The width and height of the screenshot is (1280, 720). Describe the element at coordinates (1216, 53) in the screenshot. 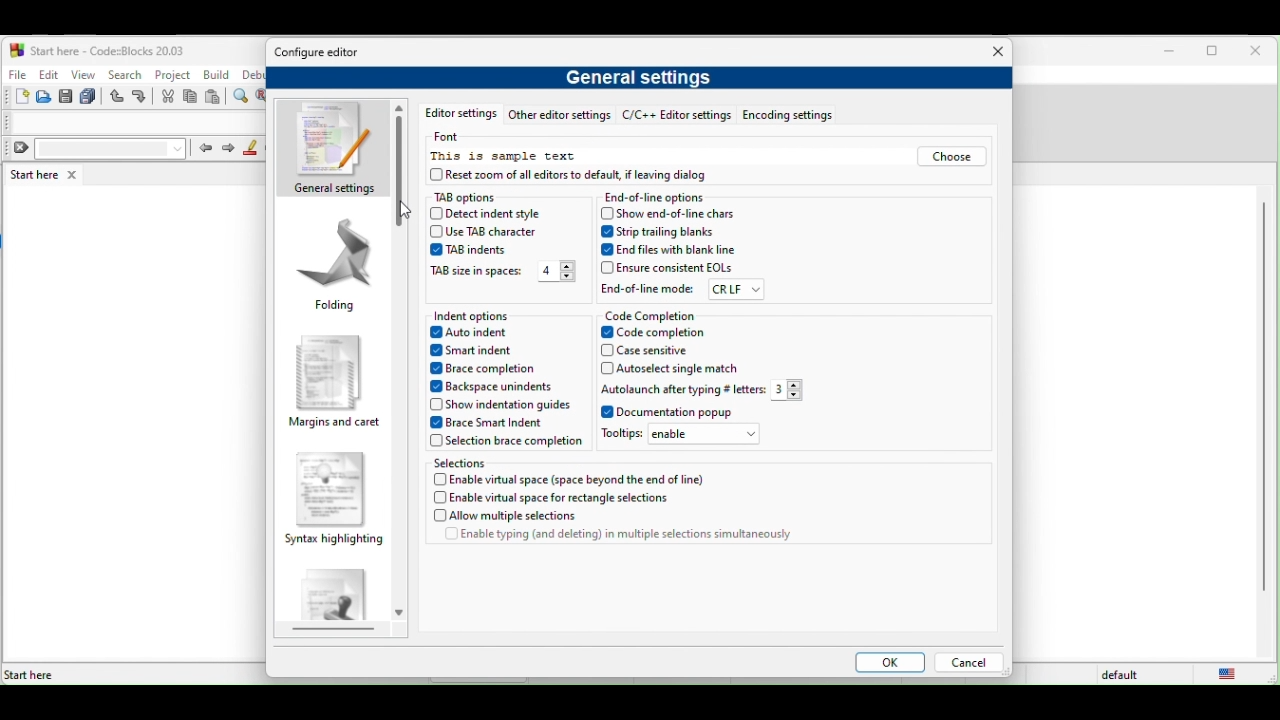

I see `maximize` at that location.